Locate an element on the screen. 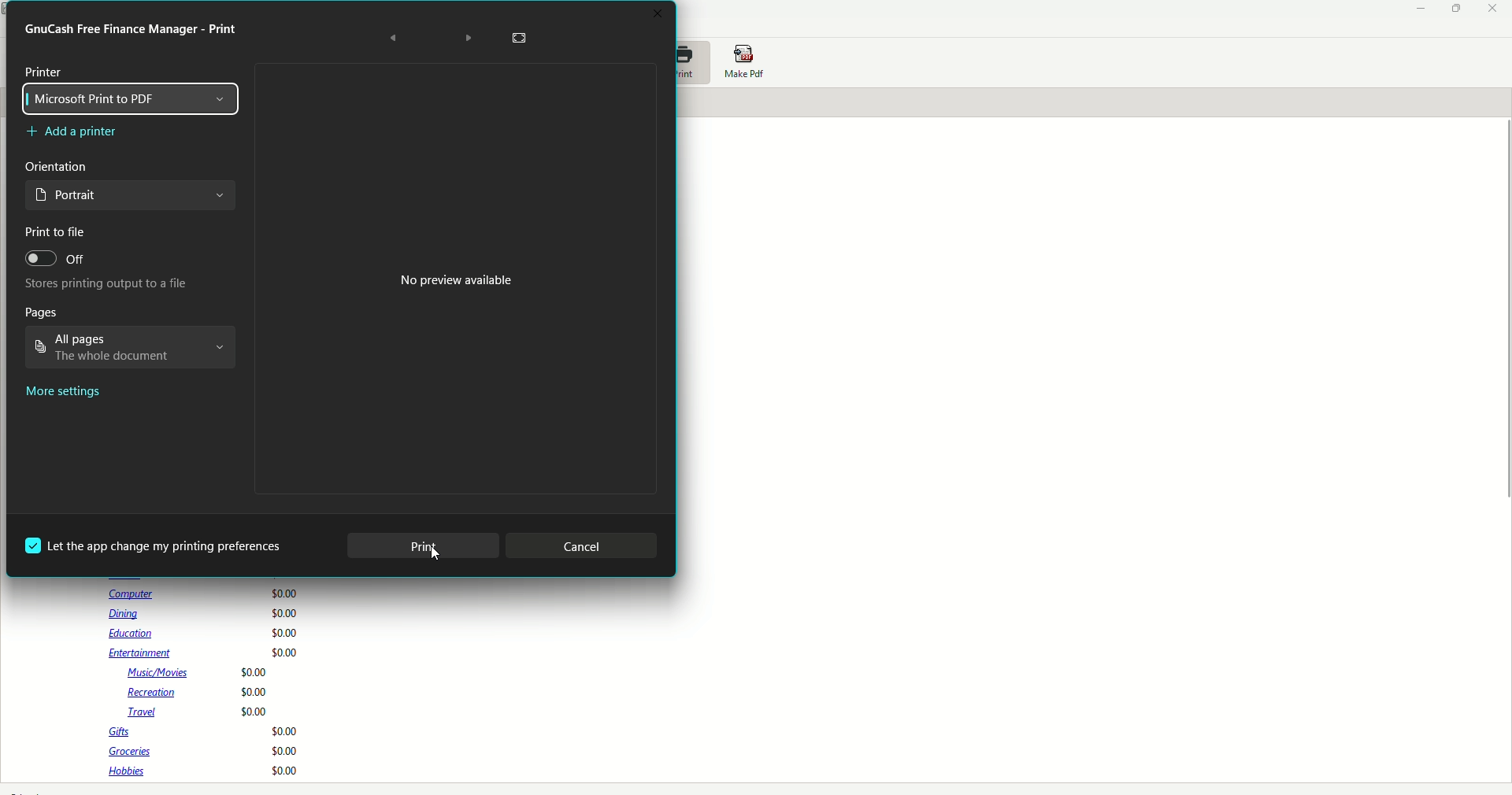 Image resolution: width=1512 pixels, height=795 pixels. No preview available is located at coordinates (458, 280).